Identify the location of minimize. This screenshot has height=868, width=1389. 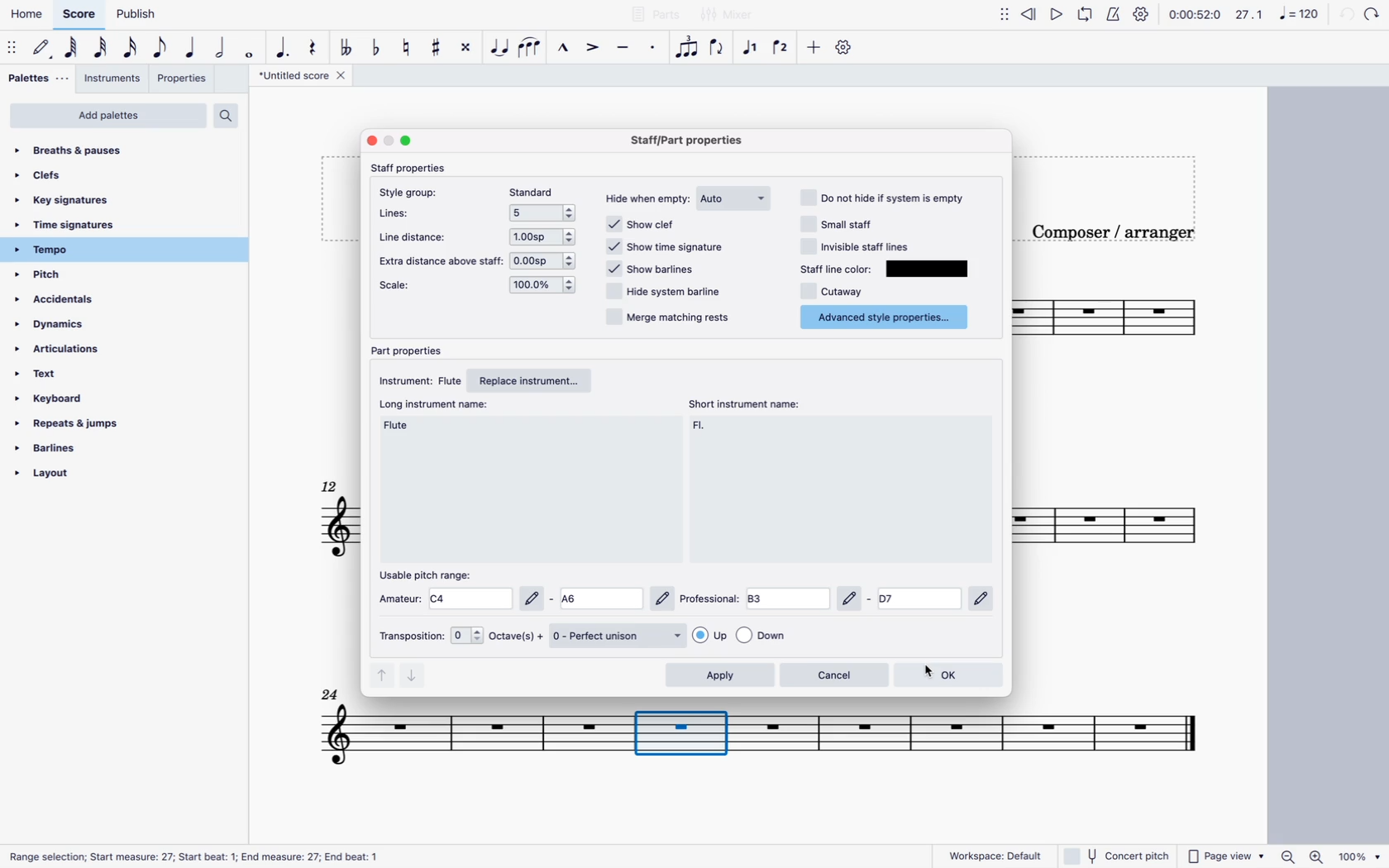
(389, 142).